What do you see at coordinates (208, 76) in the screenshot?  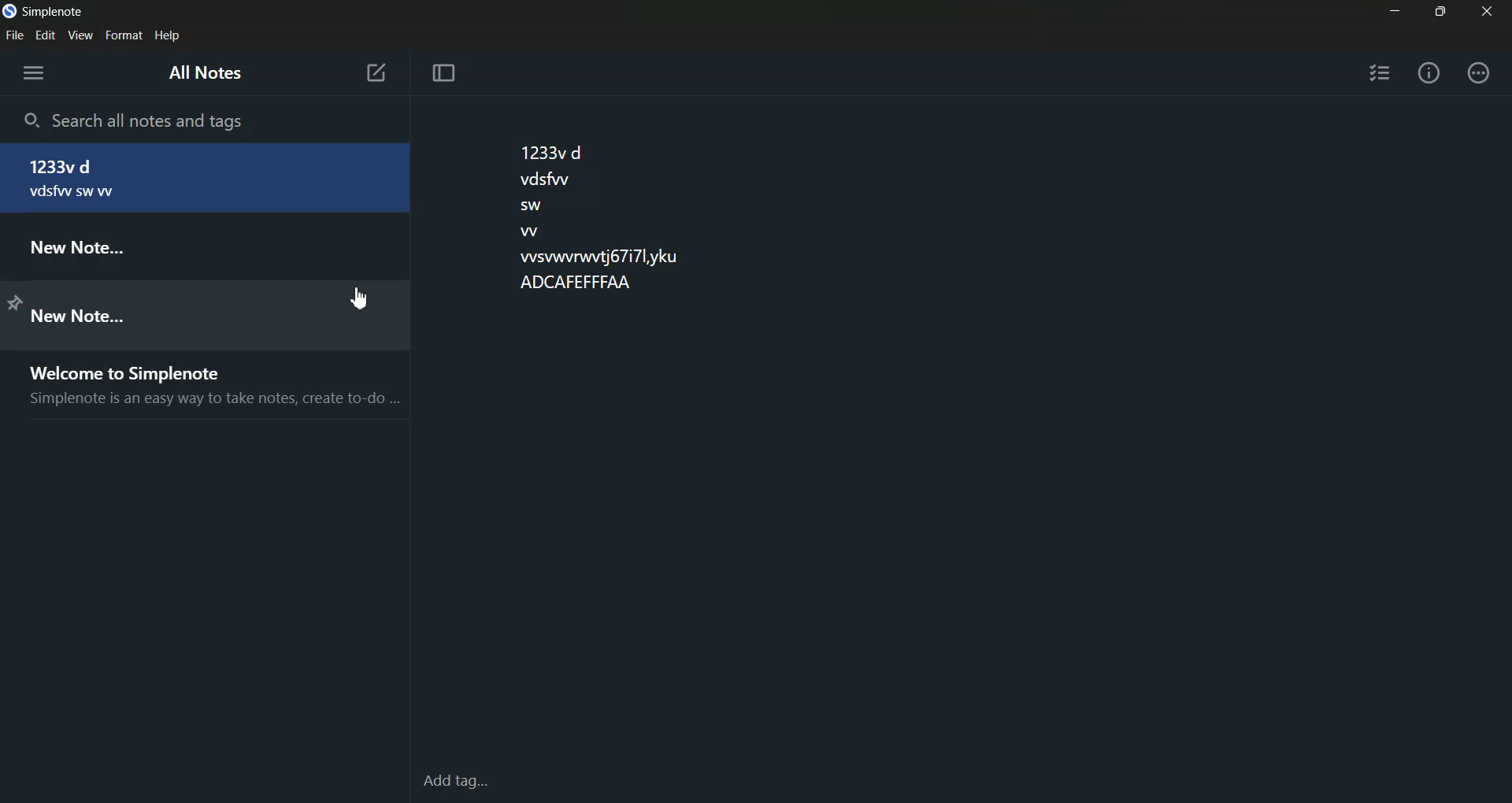 I see `All Notes` at bounding box center [208, 76].